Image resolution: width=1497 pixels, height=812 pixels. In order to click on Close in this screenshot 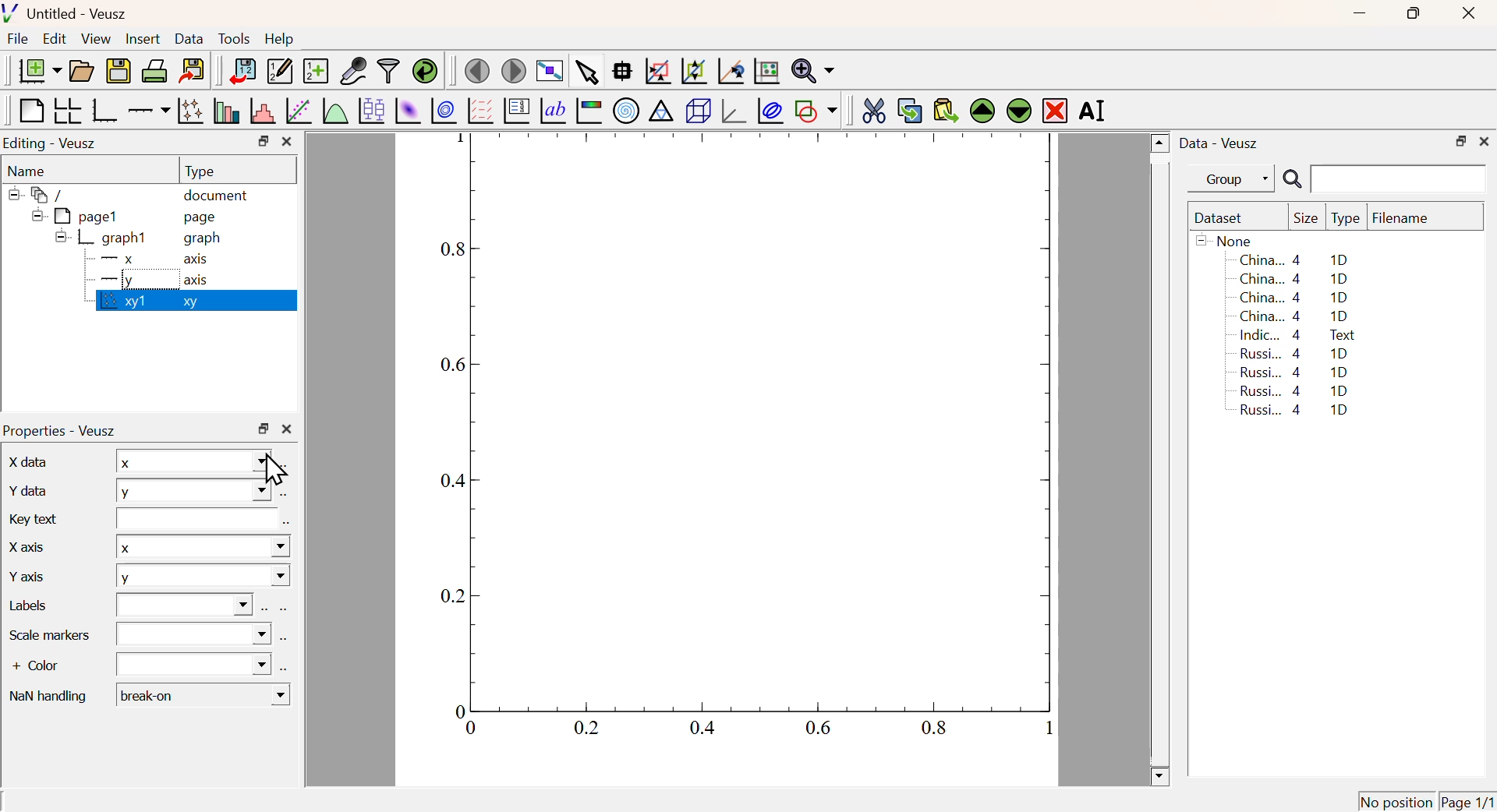, I will do `click(287, 142)`.